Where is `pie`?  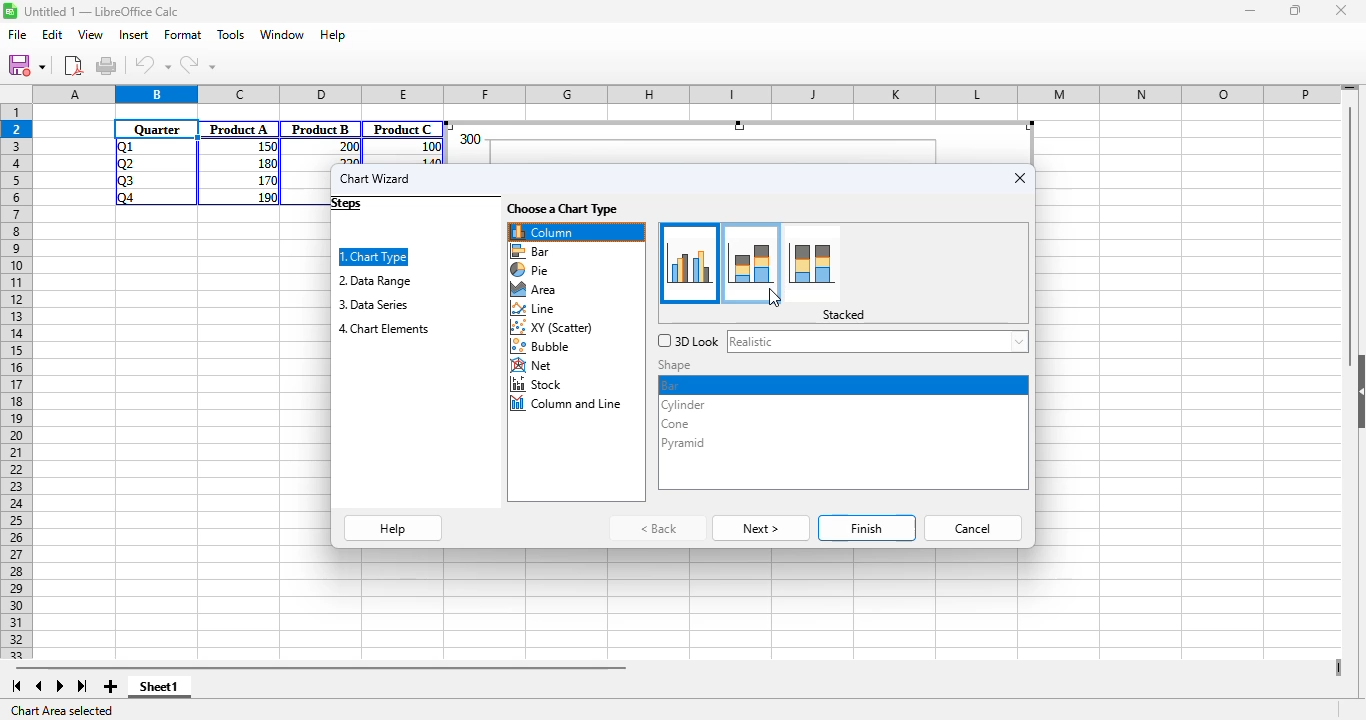 pie is located at coordinates (530, 270).